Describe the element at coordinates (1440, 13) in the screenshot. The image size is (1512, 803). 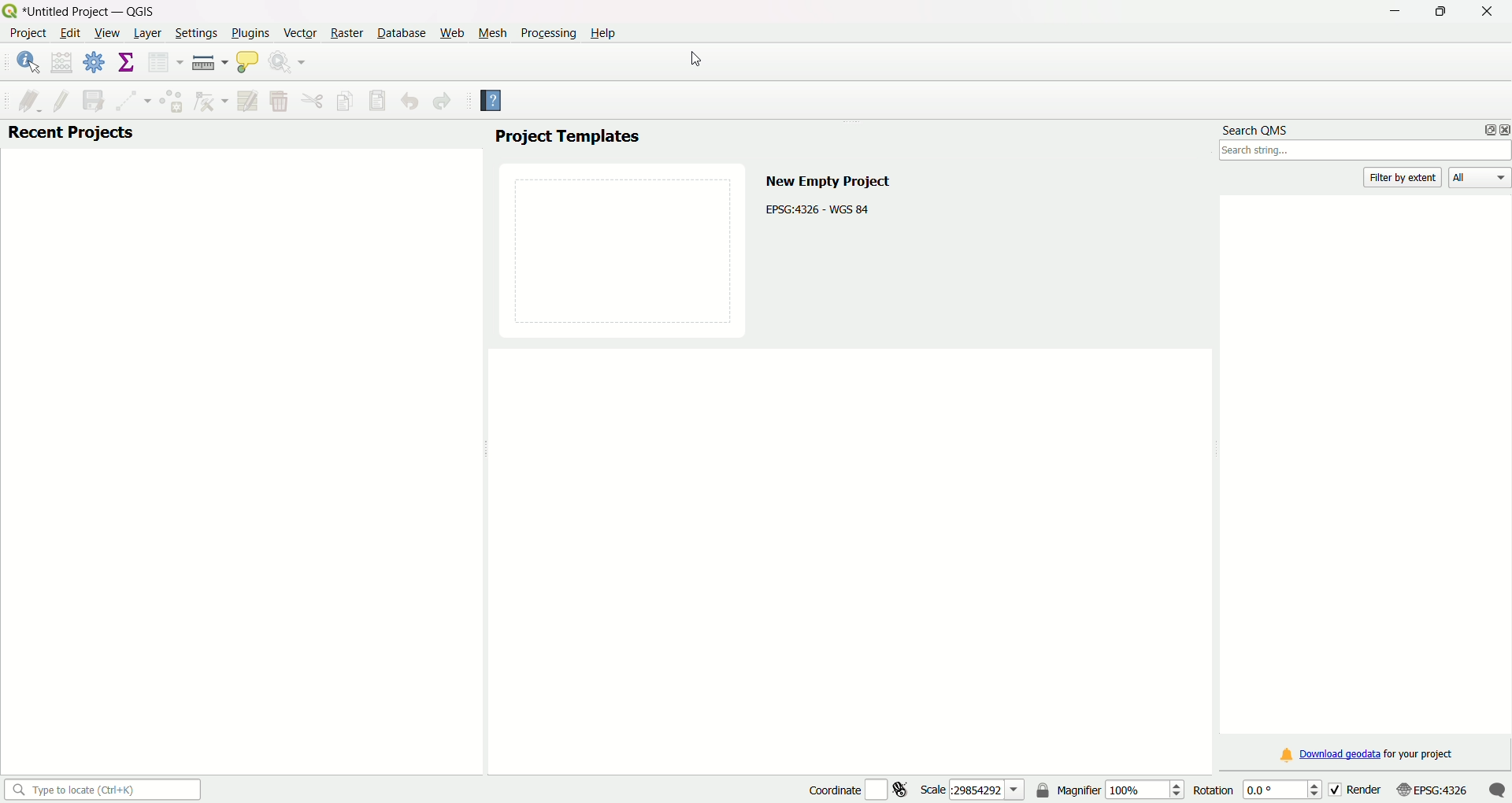
I see `Maximize` at that location.